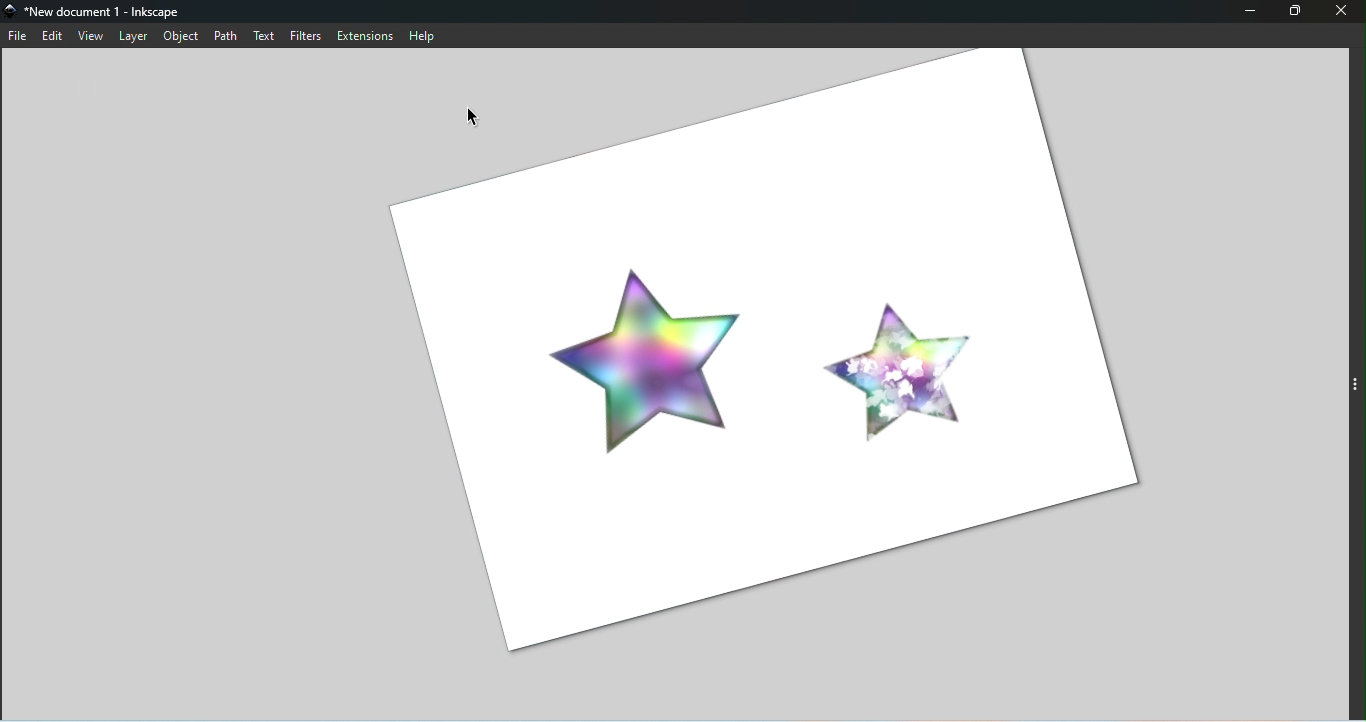  Describe the element at coordinates (473, 121) in the screenshot. I see `Cursor` at that location.